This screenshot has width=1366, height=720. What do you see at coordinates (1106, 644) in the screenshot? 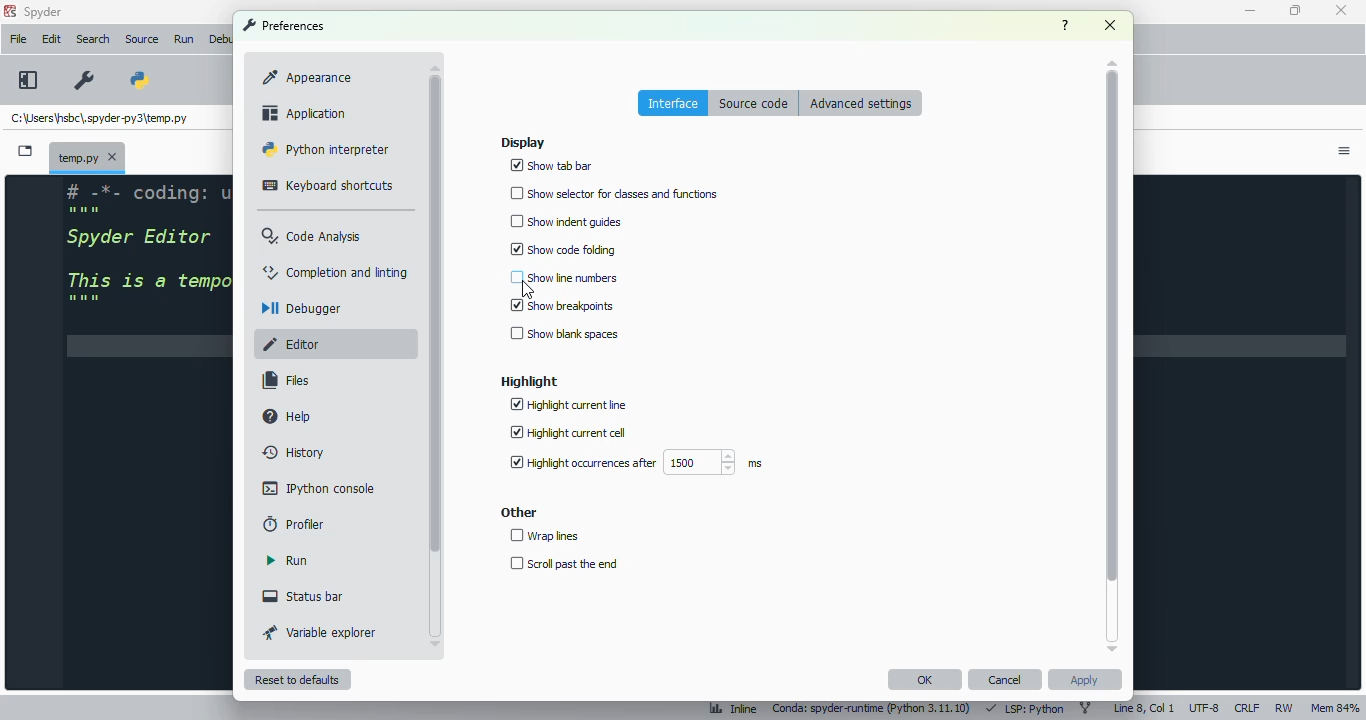
I see `Down` at bounding box center [1106, 644].